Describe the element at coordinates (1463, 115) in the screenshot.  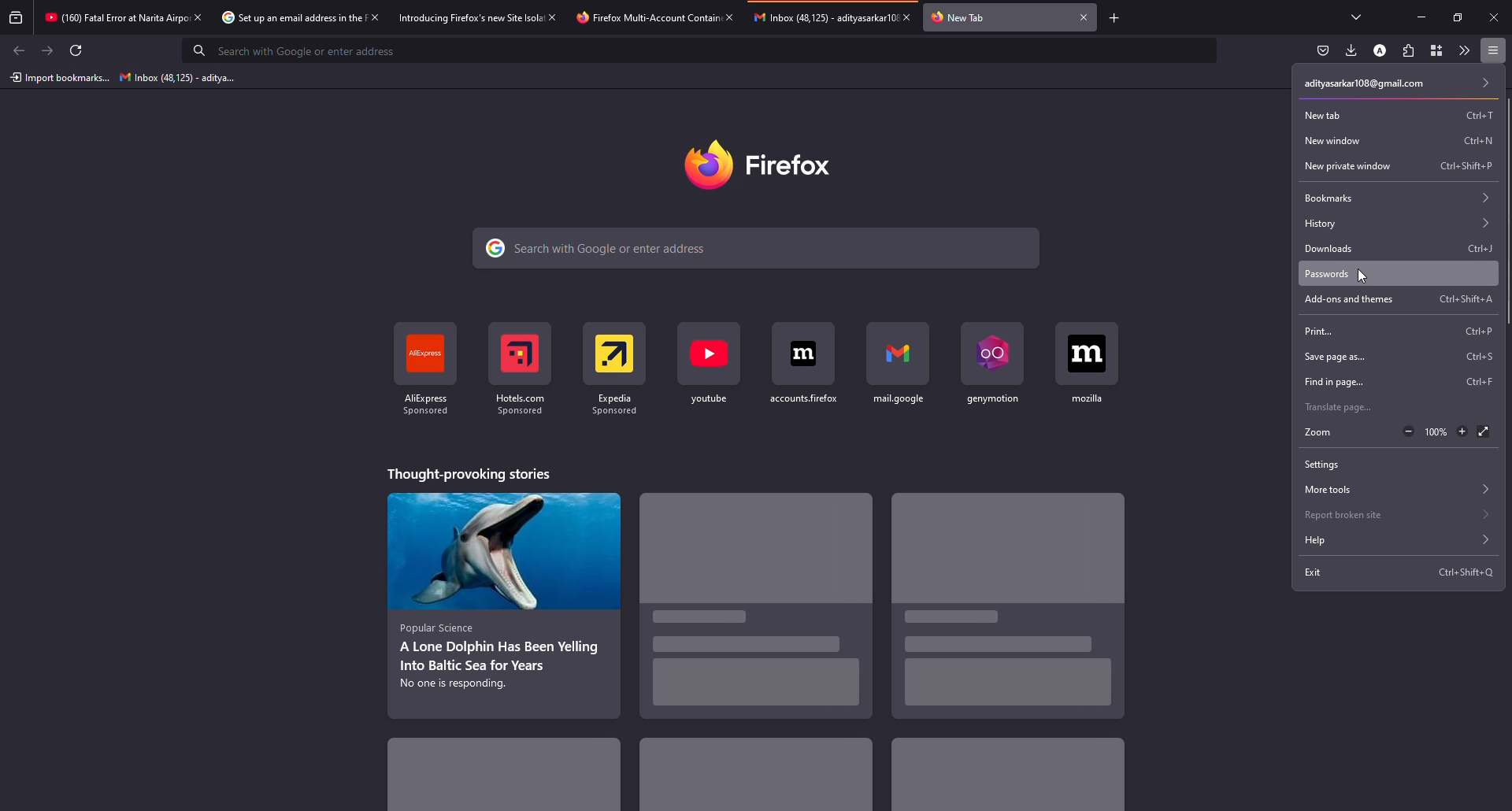
I see `shortcut` at that location.